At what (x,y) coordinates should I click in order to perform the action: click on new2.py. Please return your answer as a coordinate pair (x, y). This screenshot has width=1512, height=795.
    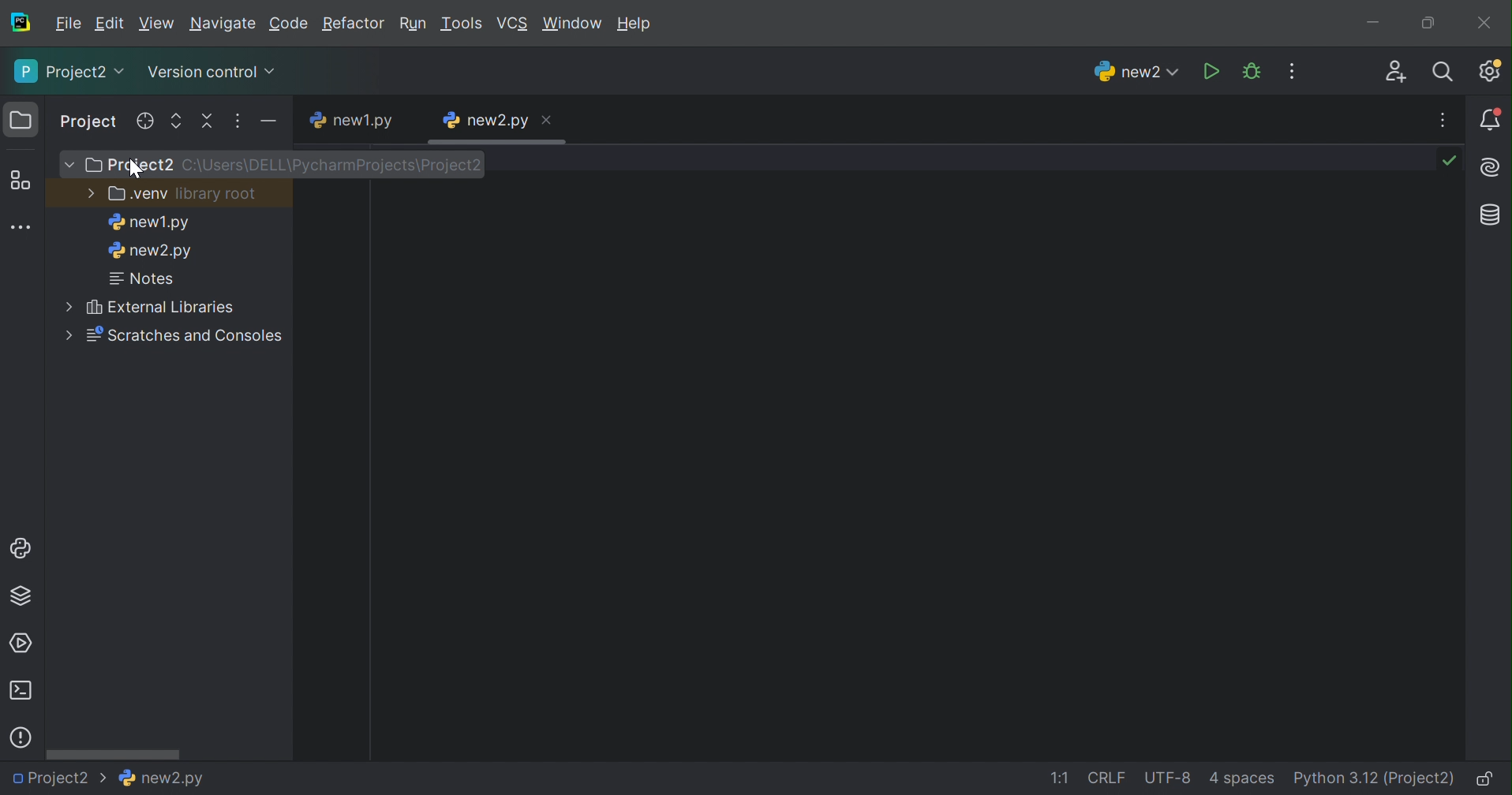
    Looking at the image, I should click on (151, 253).